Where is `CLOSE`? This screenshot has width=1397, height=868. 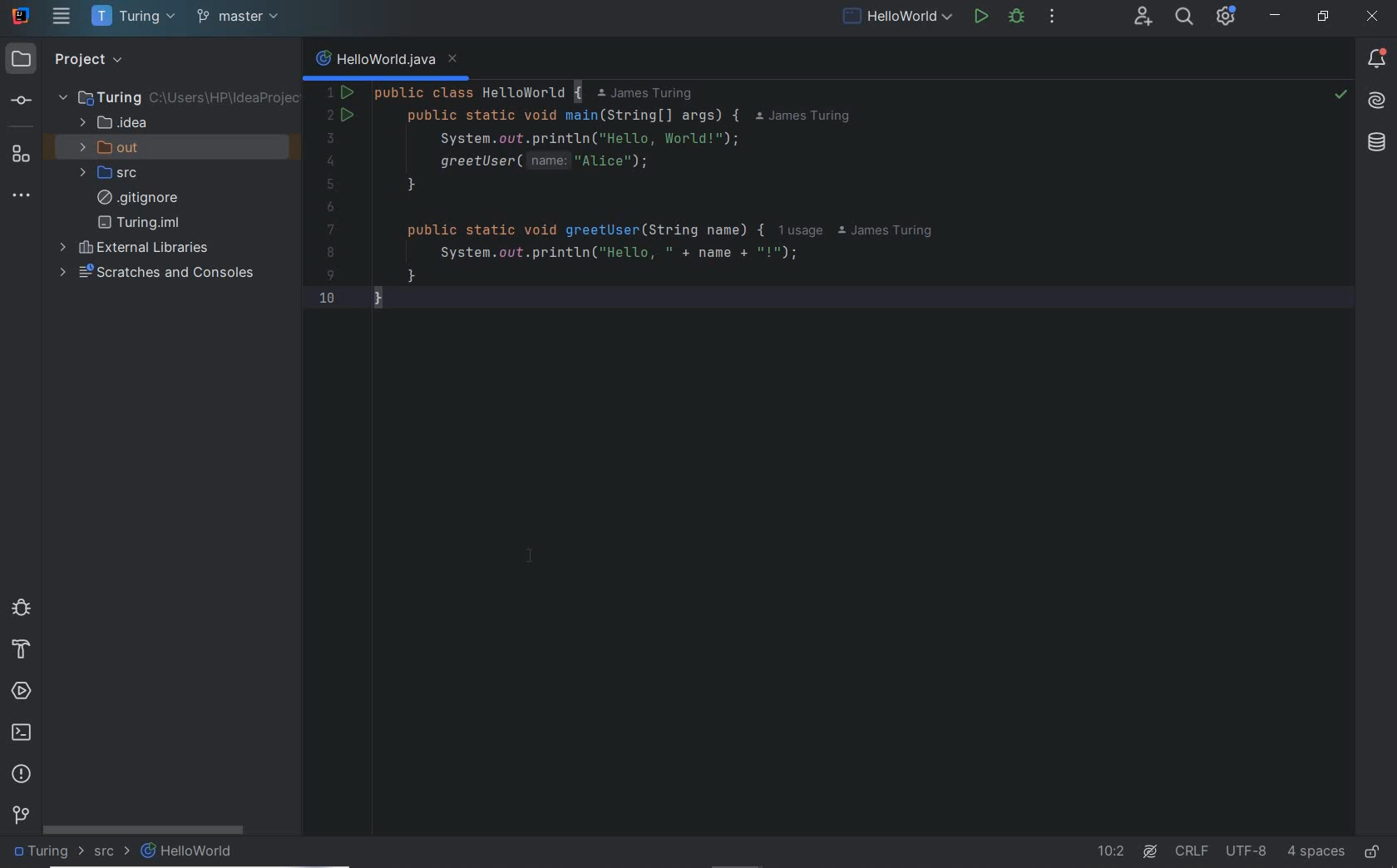
CLOSE is located at coordinates (1370, 17).